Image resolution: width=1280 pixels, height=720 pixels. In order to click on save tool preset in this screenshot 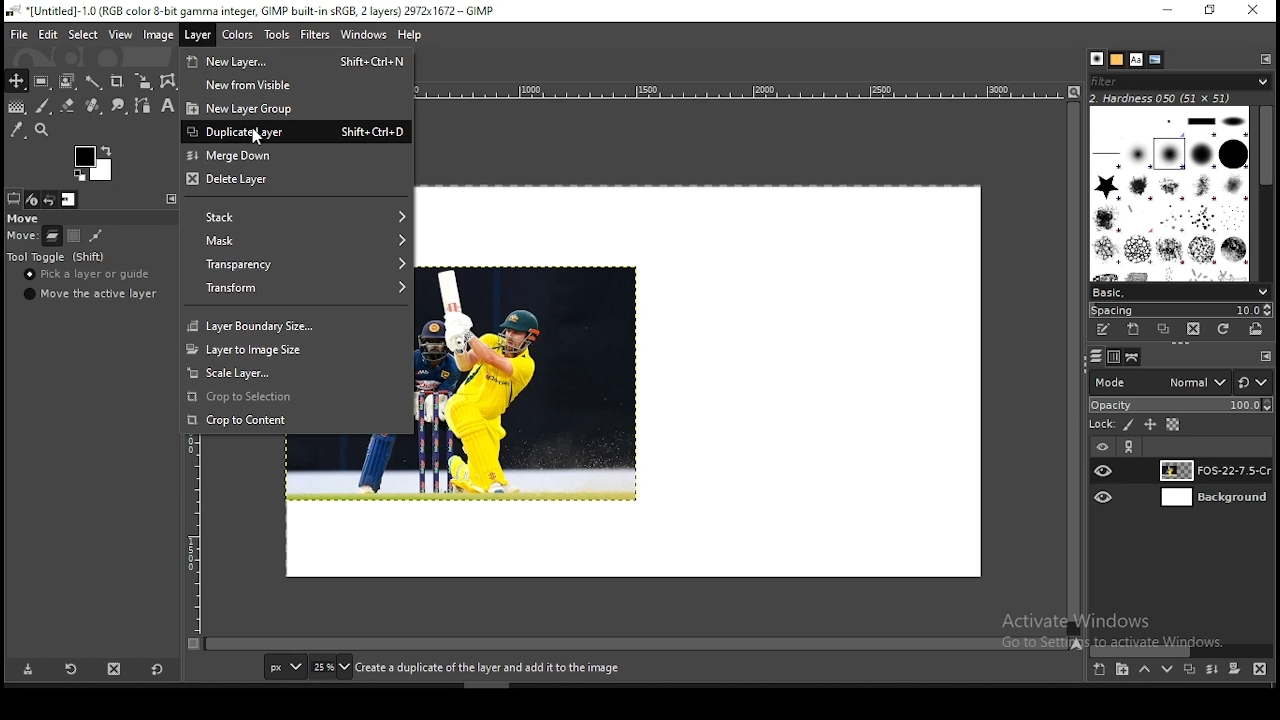, I will do `click(29, 670)`.